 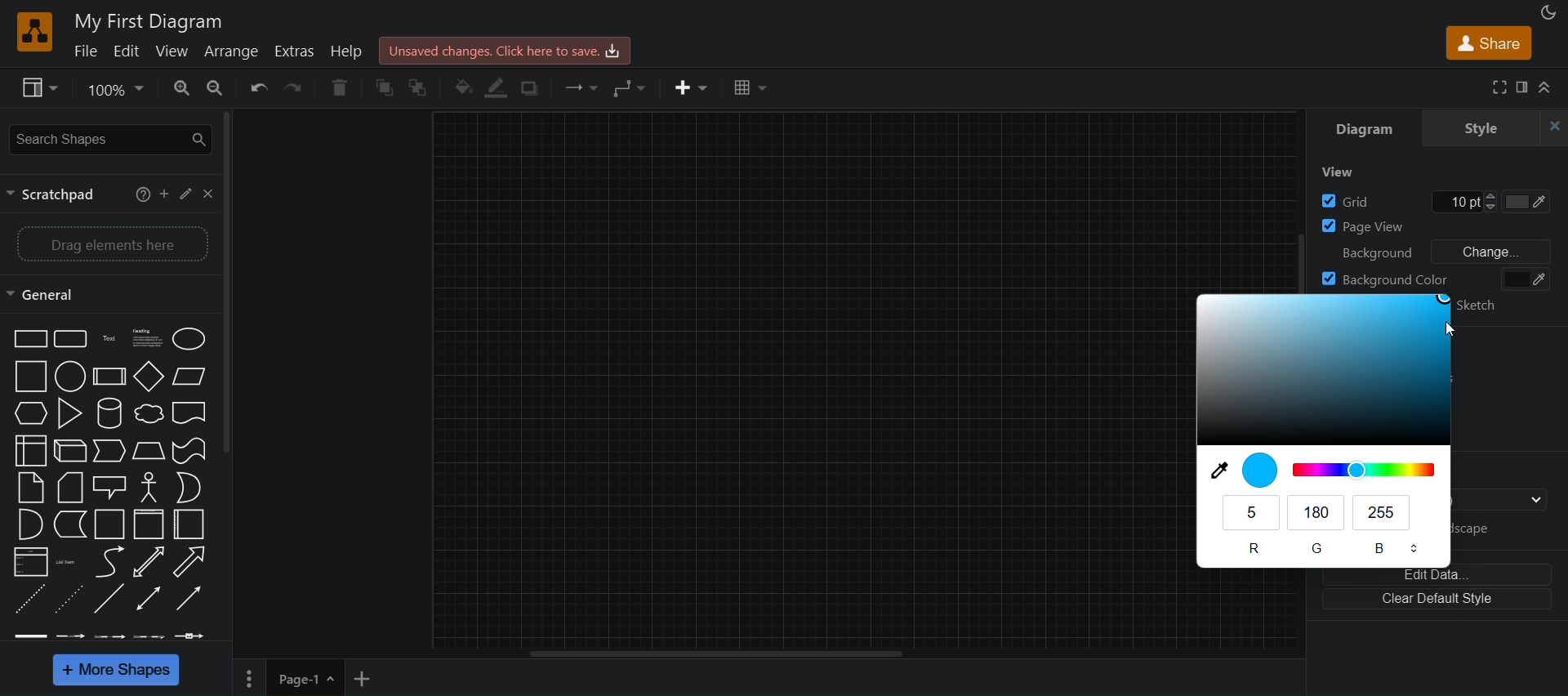 I want to click on more shapes, so click(x=121, y=671).